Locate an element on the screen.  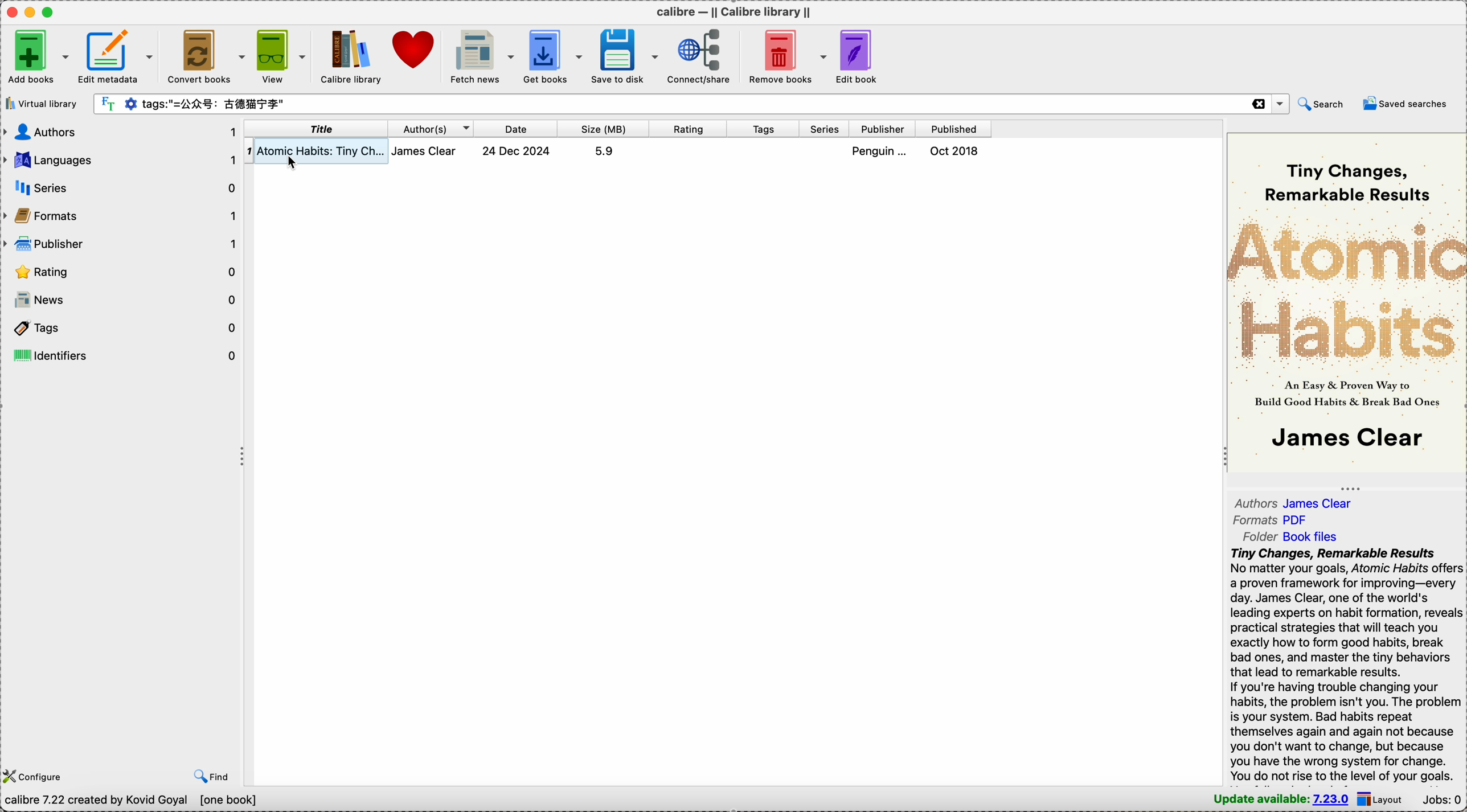
convert books is located at coordinates (206, 55).